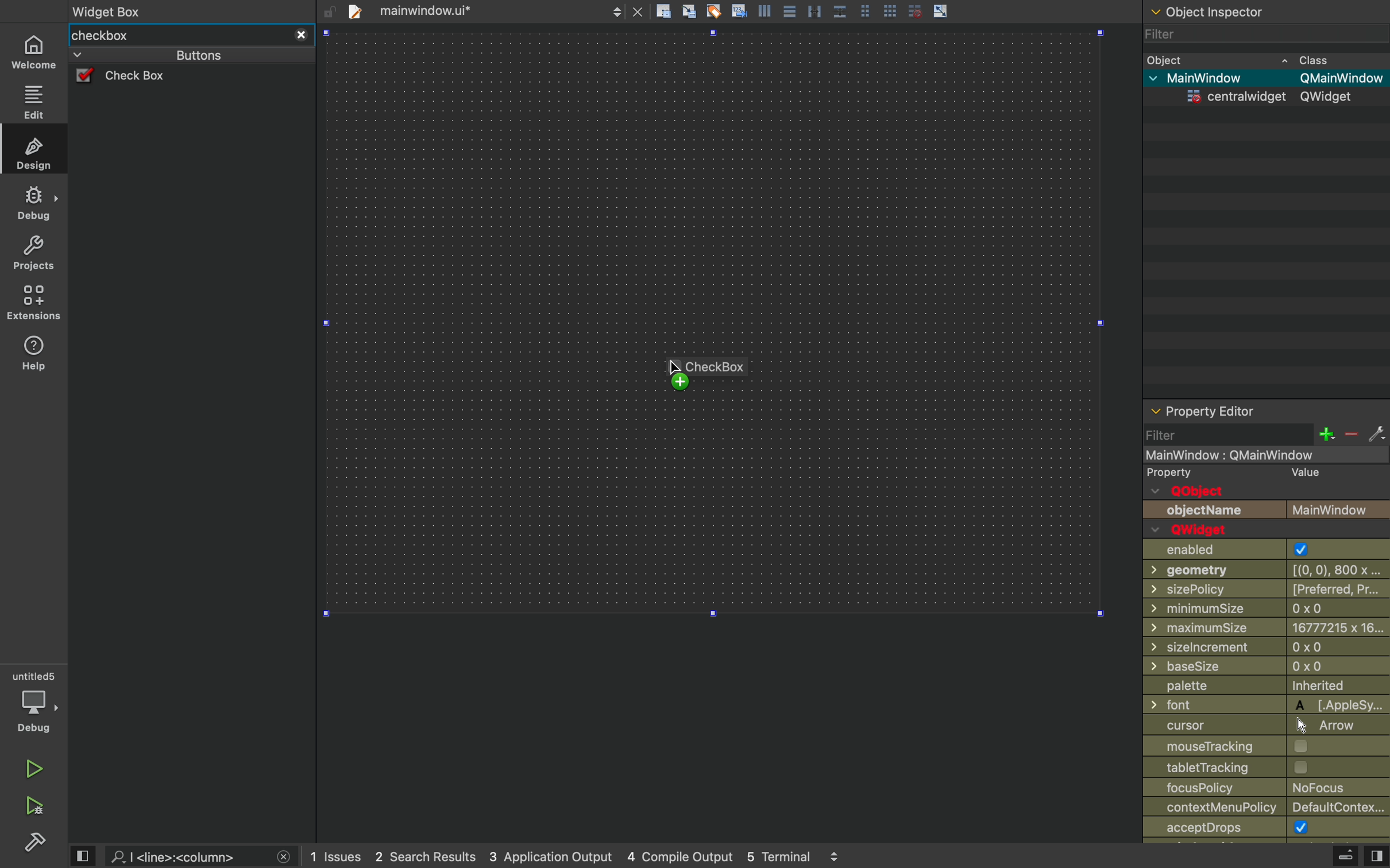  What do you see at coordinates (31, 254) in the screenshot?
I see `projects` at bounding box center [31, 254].